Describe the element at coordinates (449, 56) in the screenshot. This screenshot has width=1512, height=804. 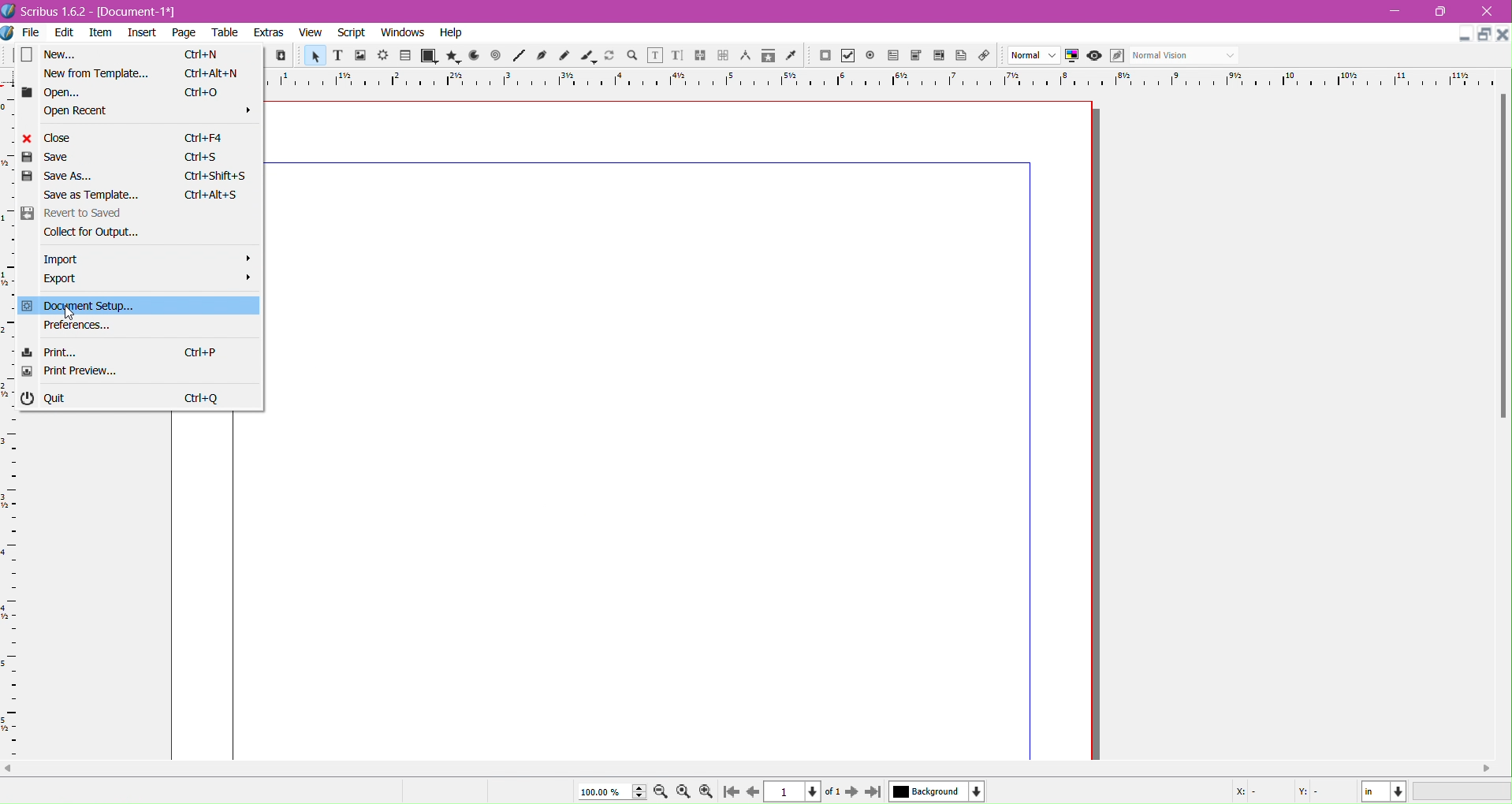
I see `polygon` at that location.